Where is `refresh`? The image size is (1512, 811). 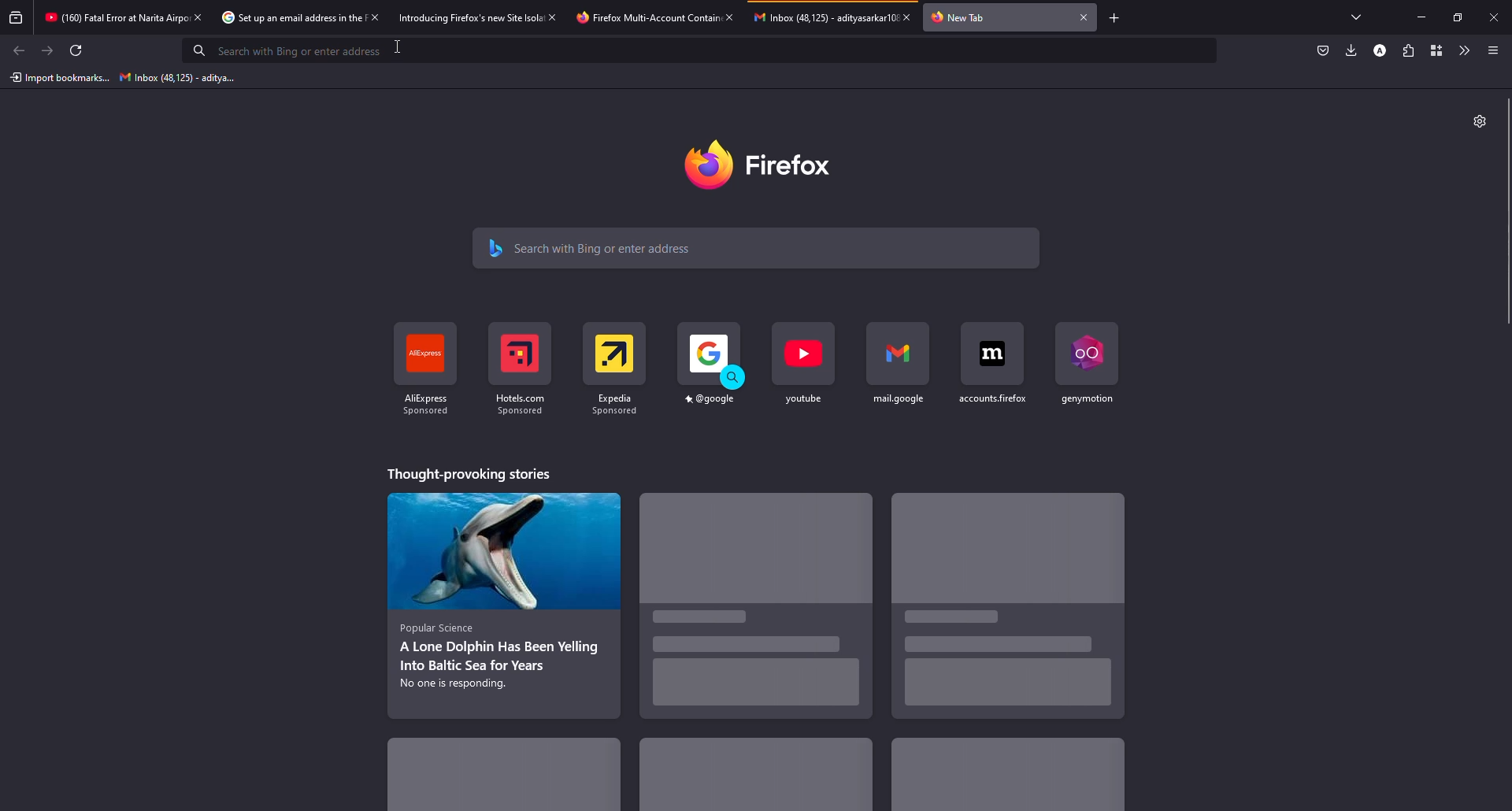 refresh is located at coordinates (74, 50).